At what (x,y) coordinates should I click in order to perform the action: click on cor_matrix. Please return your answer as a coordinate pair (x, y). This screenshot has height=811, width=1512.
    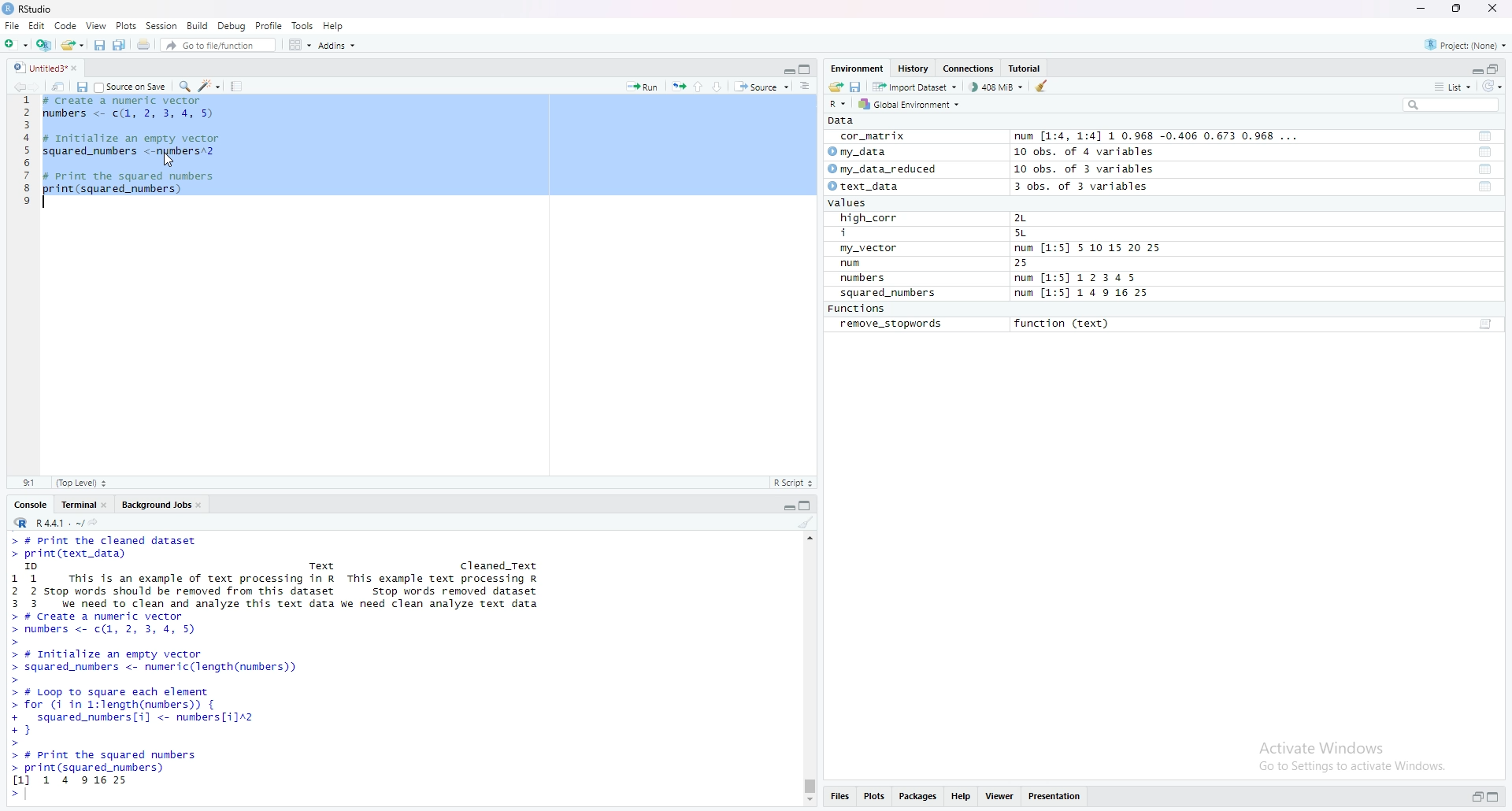
    Looking at the image, I should click on (871, 137).